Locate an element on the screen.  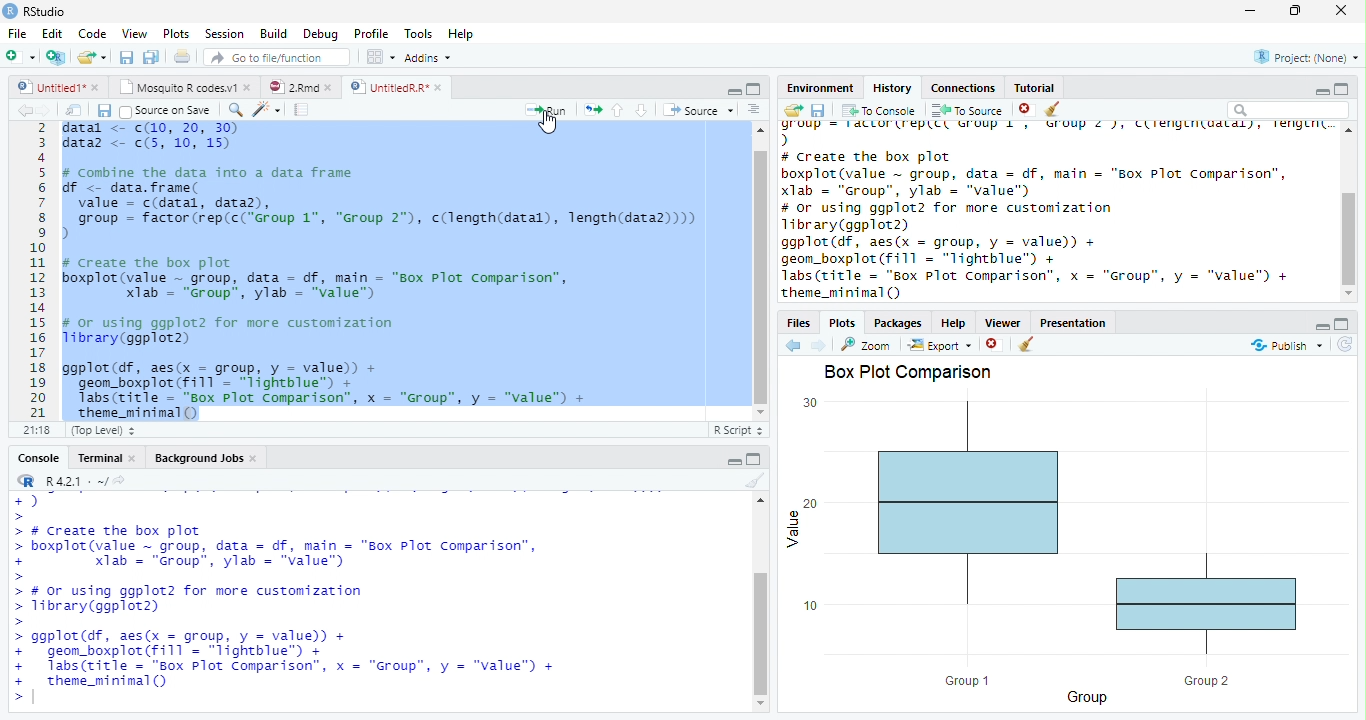
minimize is located at coordinates (1251, 10).